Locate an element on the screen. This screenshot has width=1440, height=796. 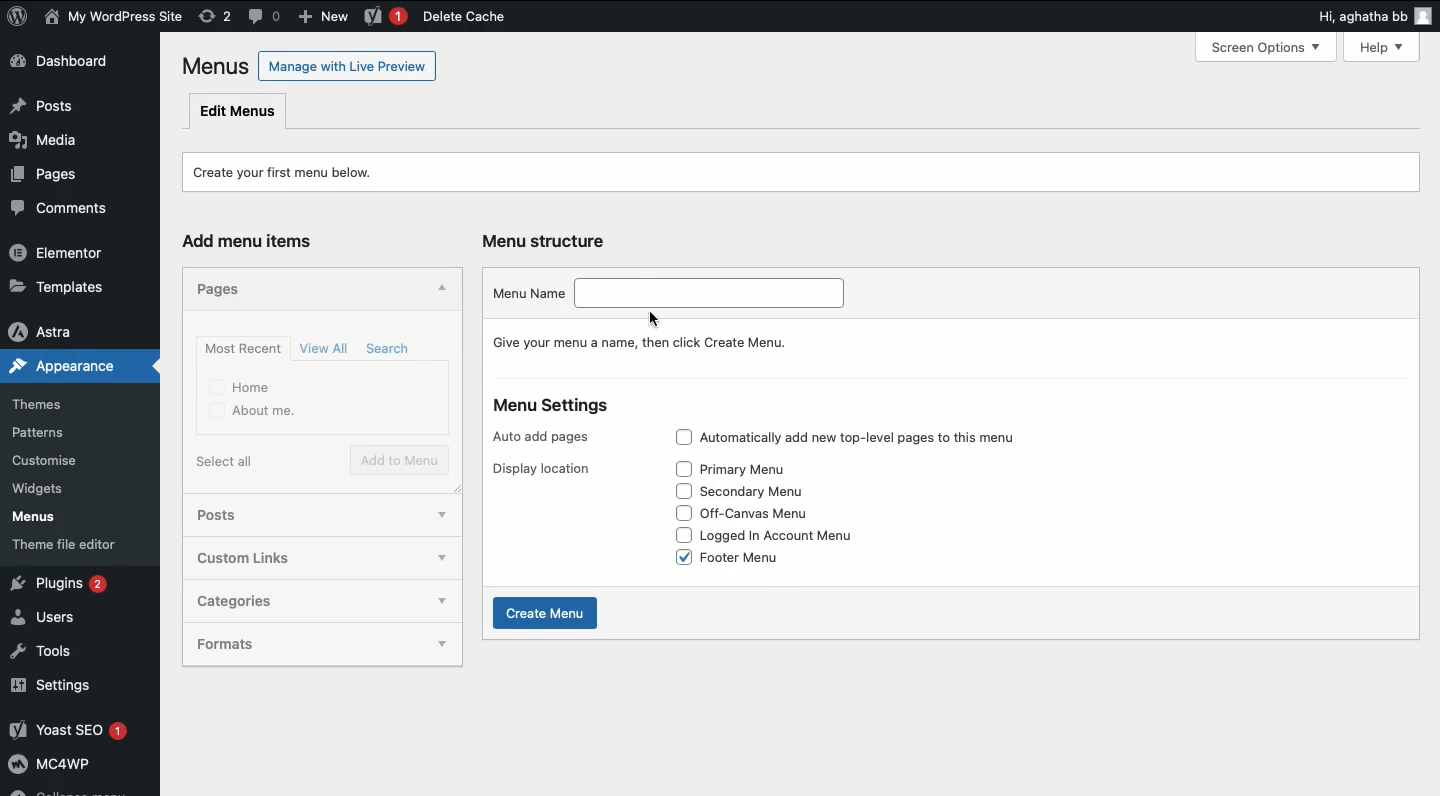
Most recent is located at coordinates (242, 349).